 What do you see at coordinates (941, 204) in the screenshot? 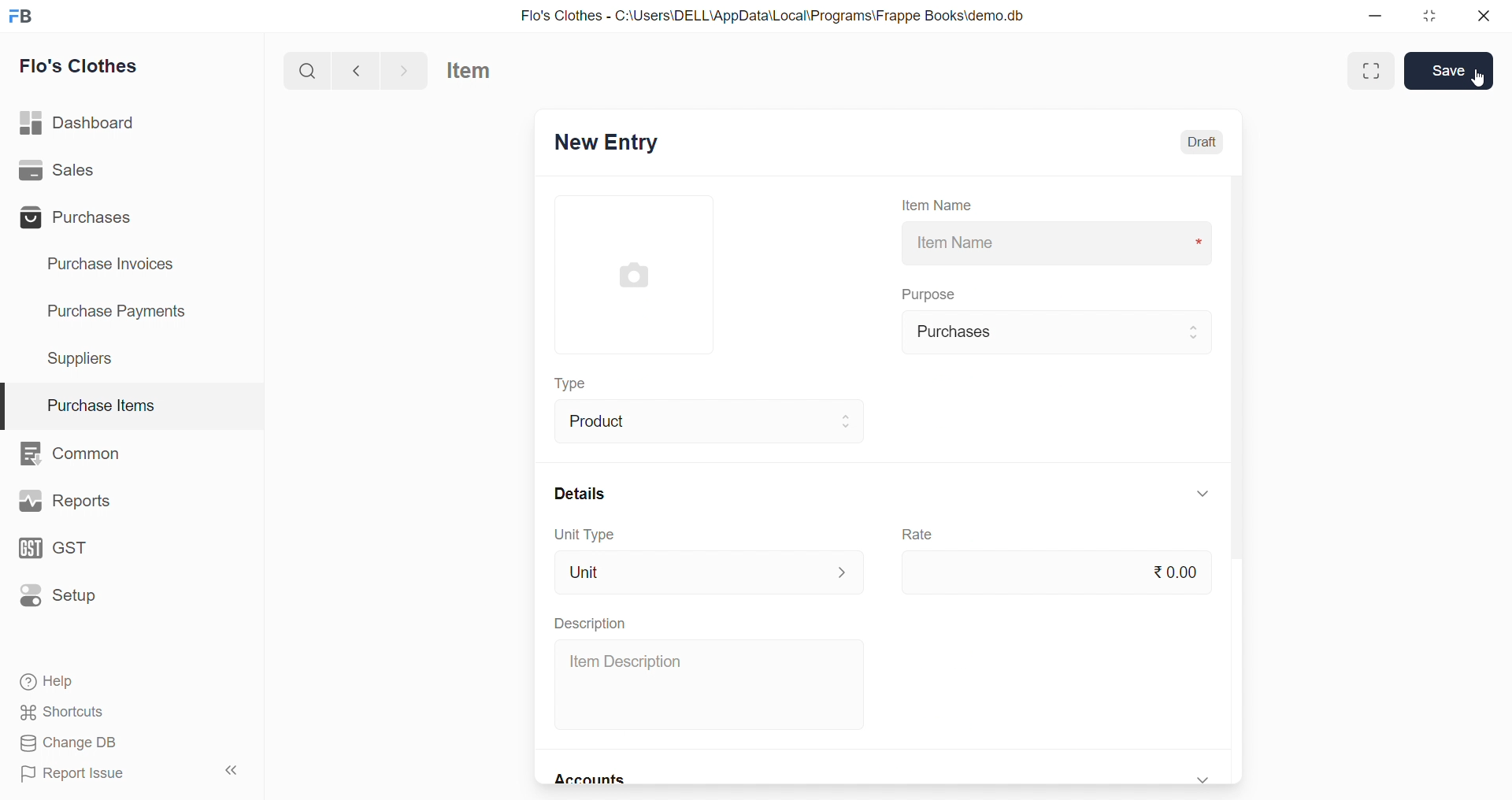
I see `Item Name` at bounding box center [941, 204].